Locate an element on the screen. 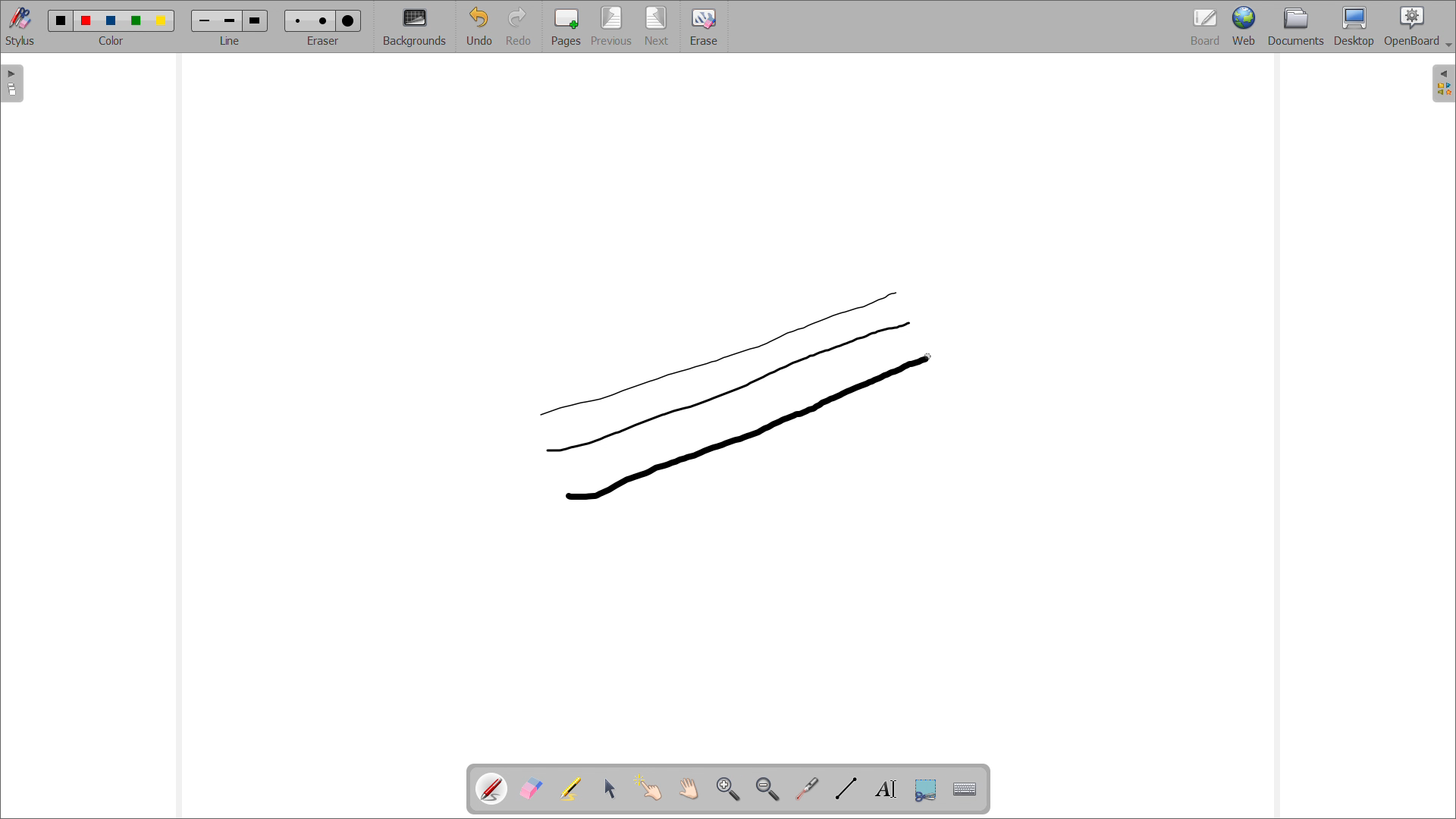 The width and height of the screenshot is (1456, 819). undo is located at coordinates (479, 26).